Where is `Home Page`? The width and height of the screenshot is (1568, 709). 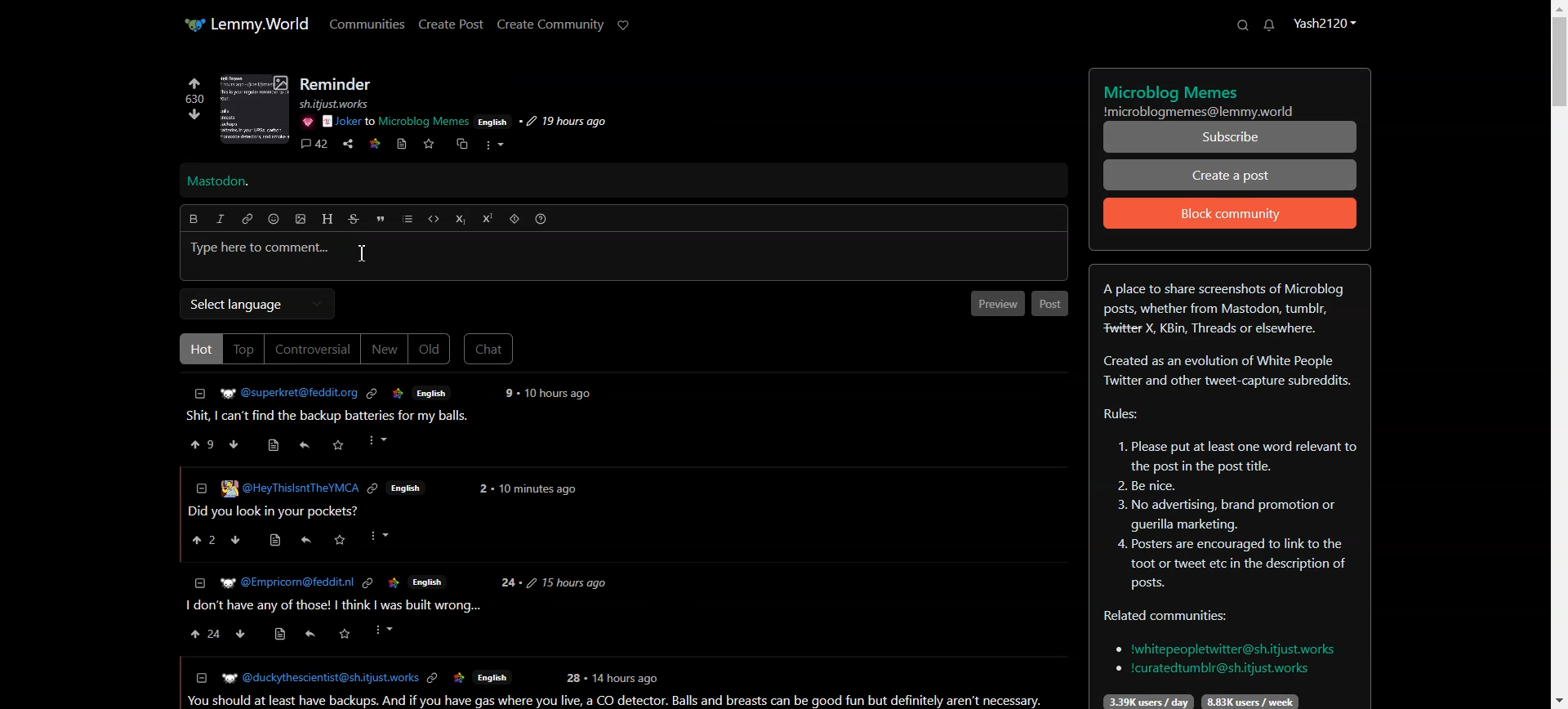 Home Page is located at coordinates (246, 24).